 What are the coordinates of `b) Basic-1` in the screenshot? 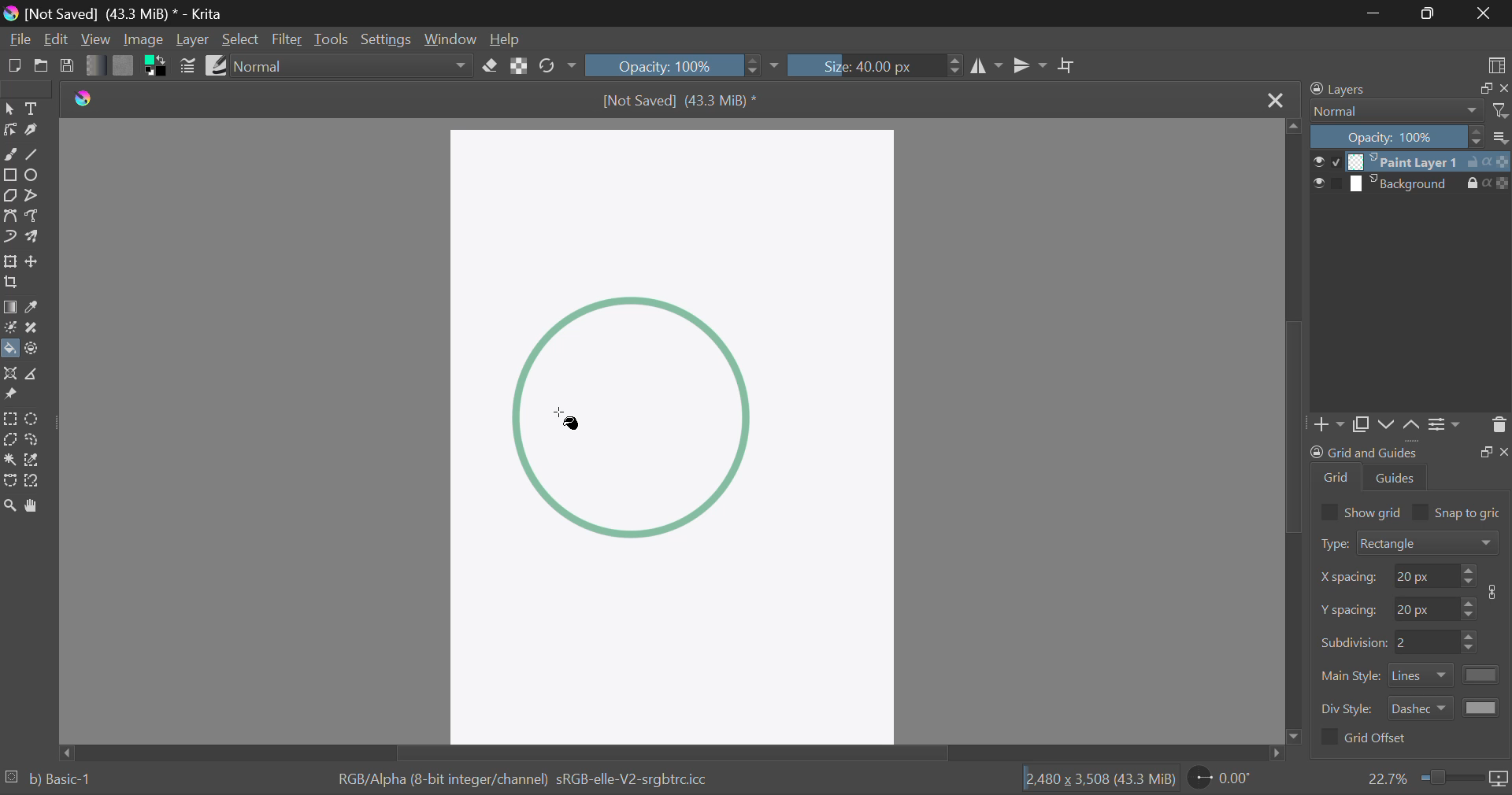 It's located at (60, 780).